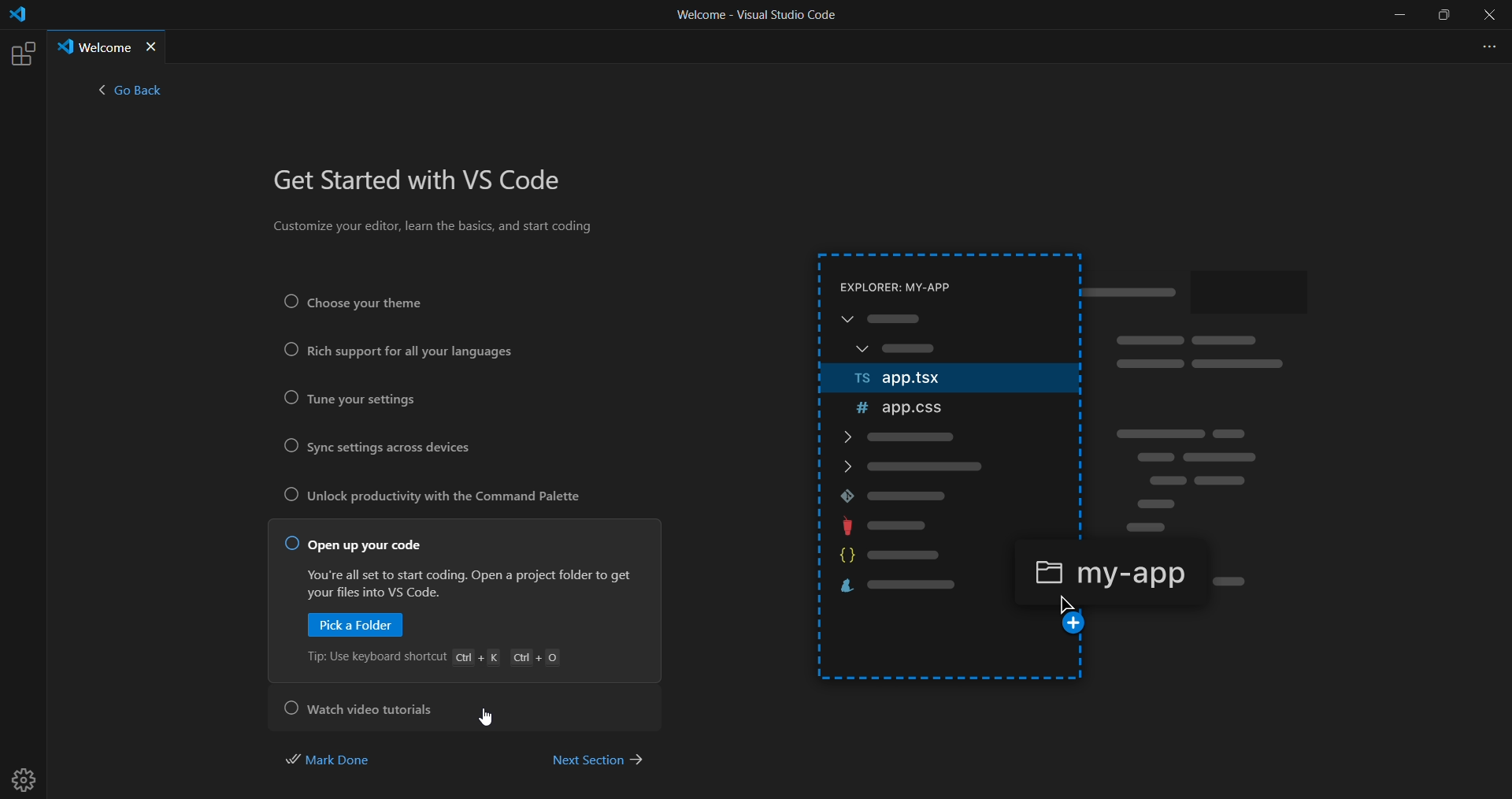  I want to click on pick a folder, so click(358, 626).